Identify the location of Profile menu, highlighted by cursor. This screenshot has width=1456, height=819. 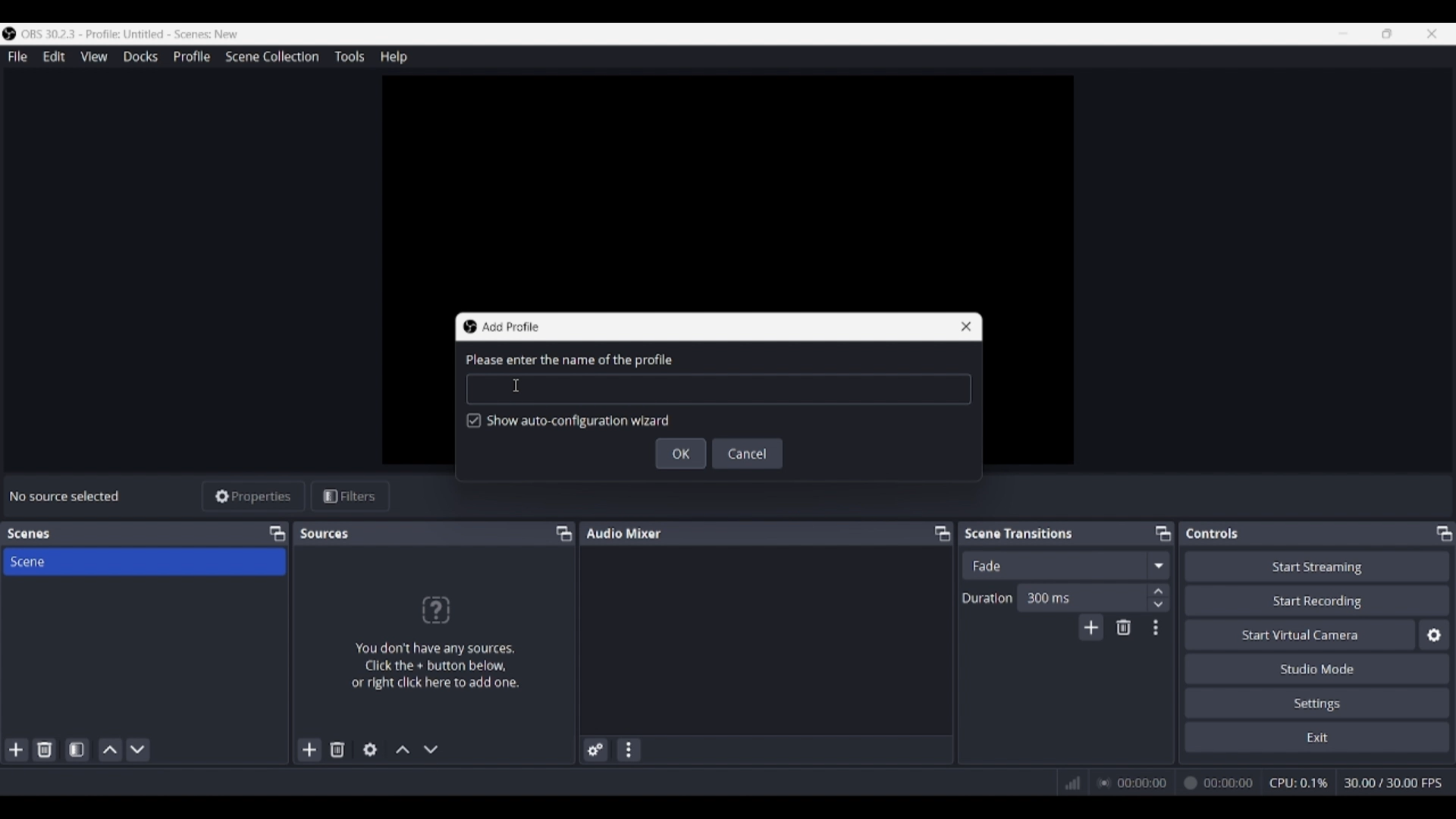
(192, 57).